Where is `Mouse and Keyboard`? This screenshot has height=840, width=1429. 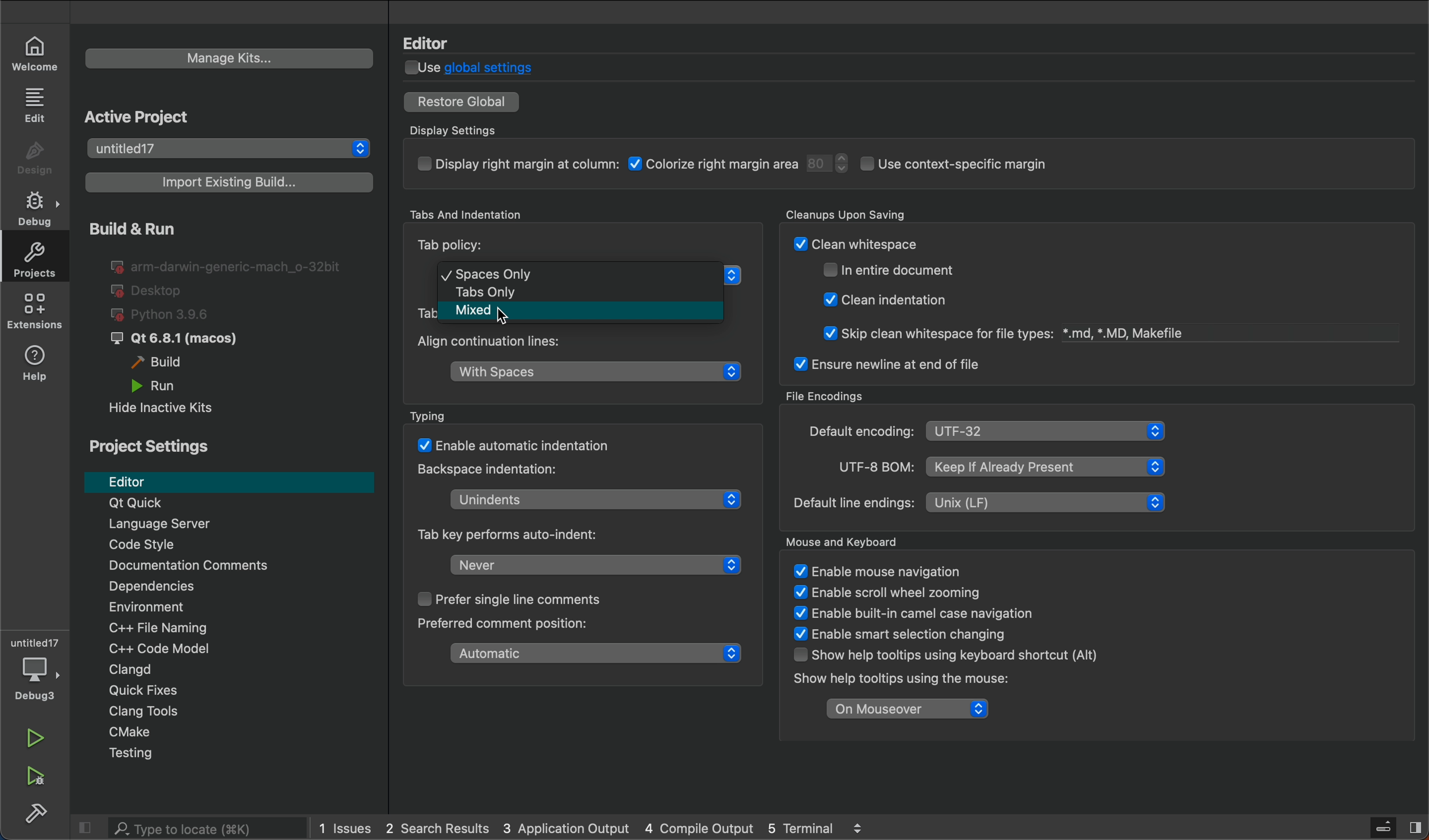 Mouse and Keyboard is located at coordinates (862, 541).